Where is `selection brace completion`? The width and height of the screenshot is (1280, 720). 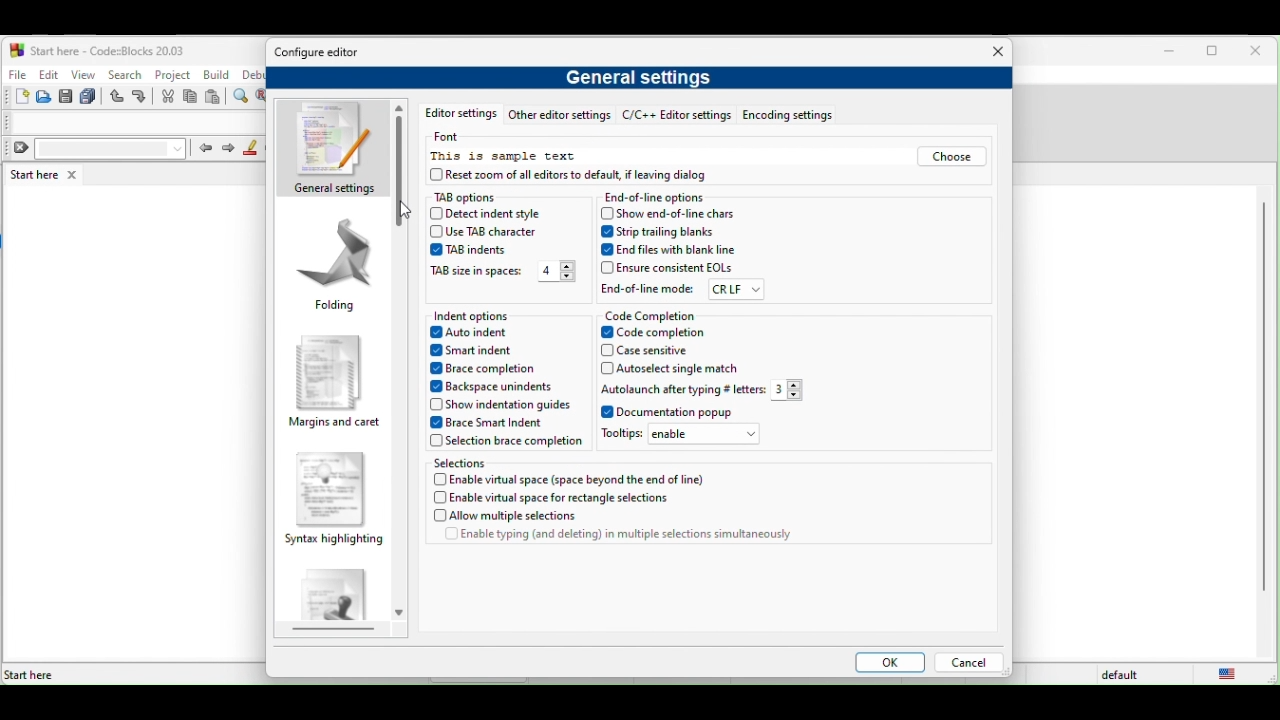 selection brace completion is located at coordinates (506, 443).